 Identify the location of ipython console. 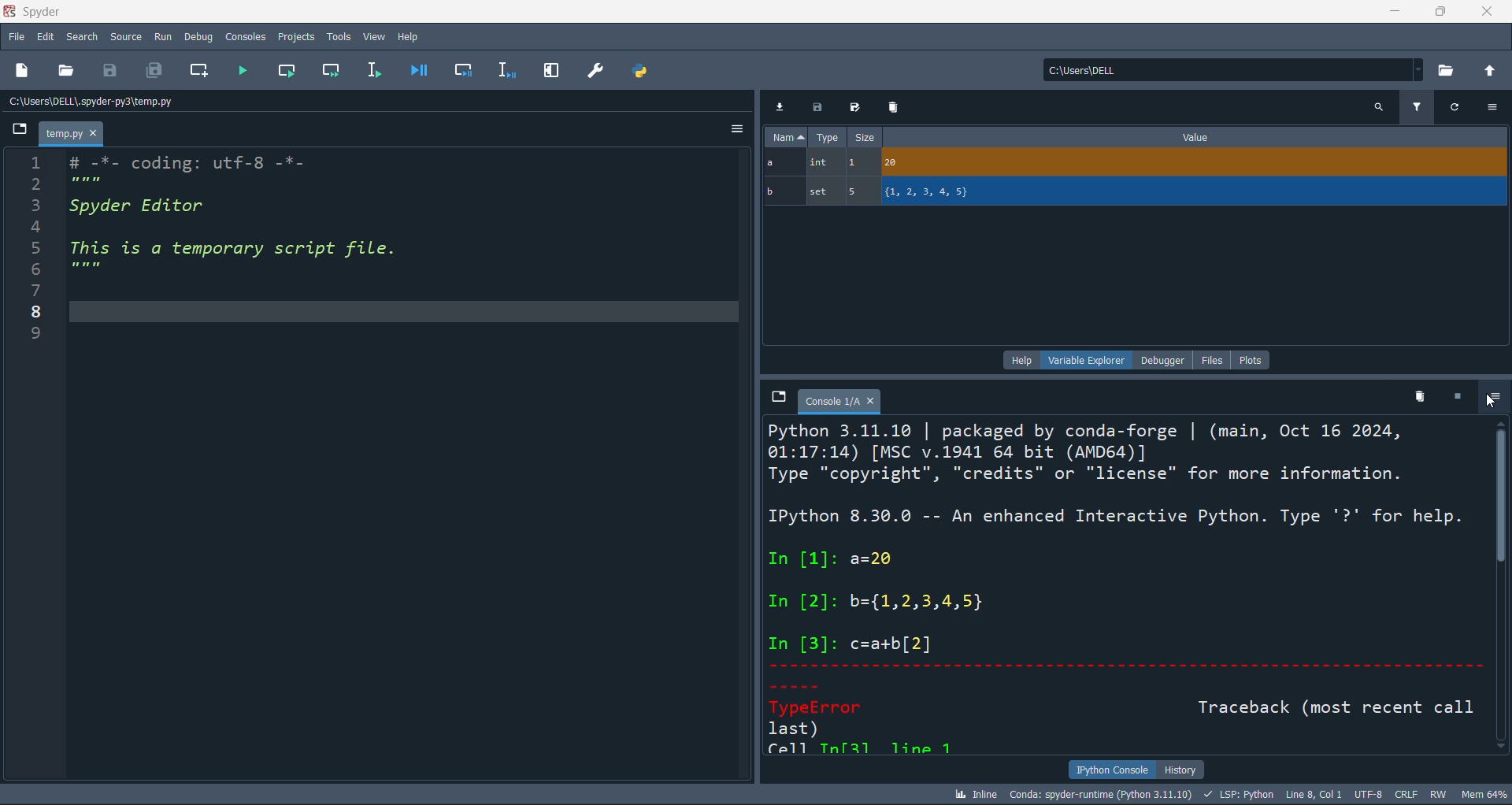
(1108, 770).